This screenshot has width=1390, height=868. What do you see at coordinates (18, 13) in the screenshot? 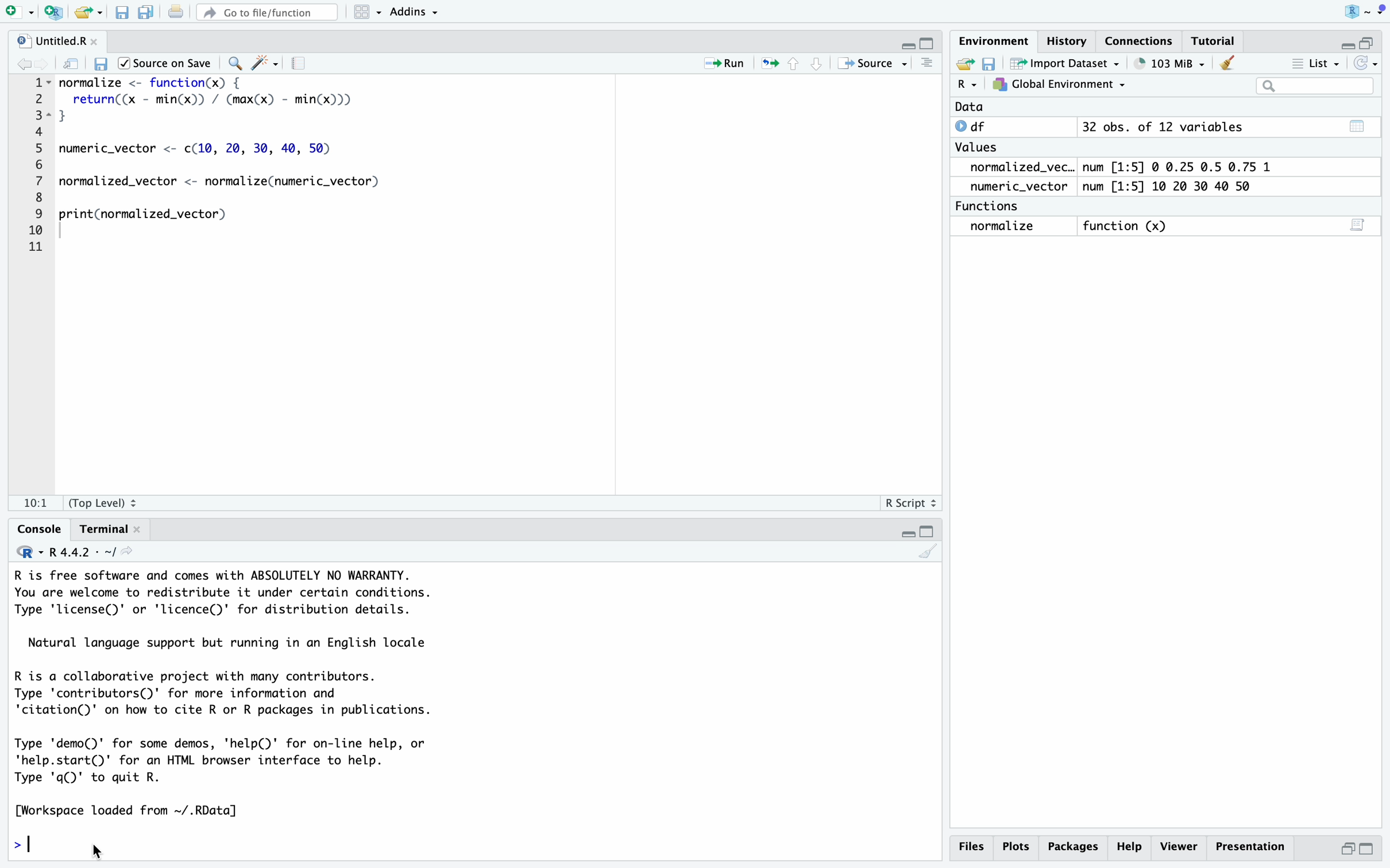
I see `New File` at bounding box center [18, 13].